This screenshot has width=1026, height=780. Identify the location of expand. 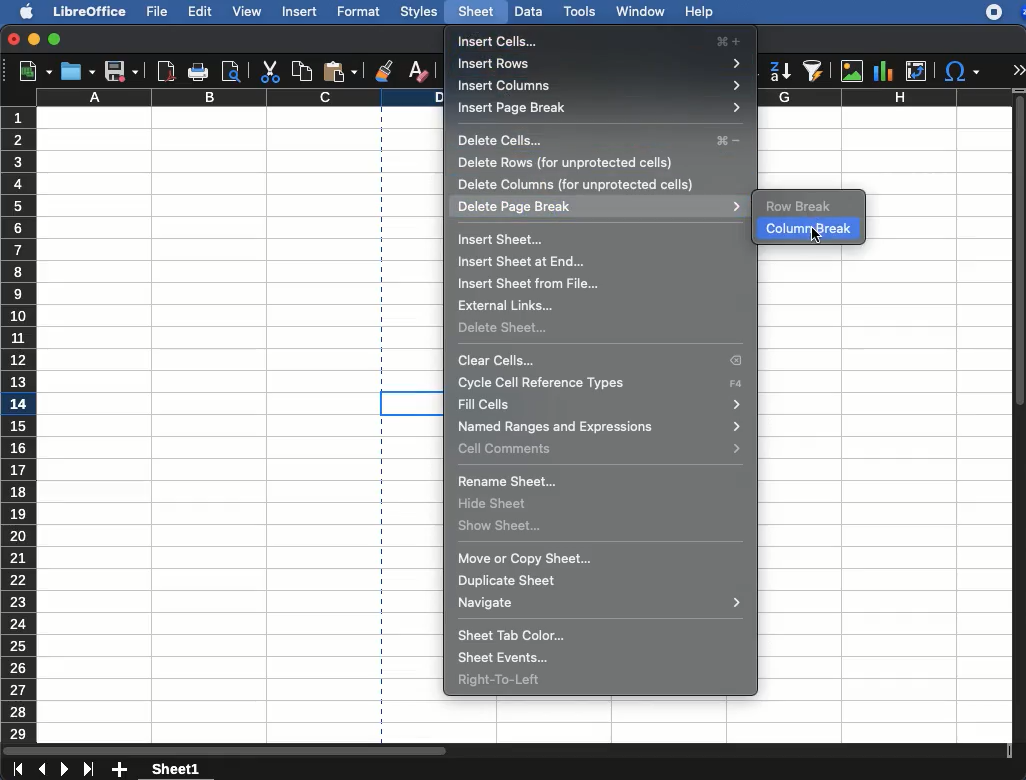
(1020, 69).